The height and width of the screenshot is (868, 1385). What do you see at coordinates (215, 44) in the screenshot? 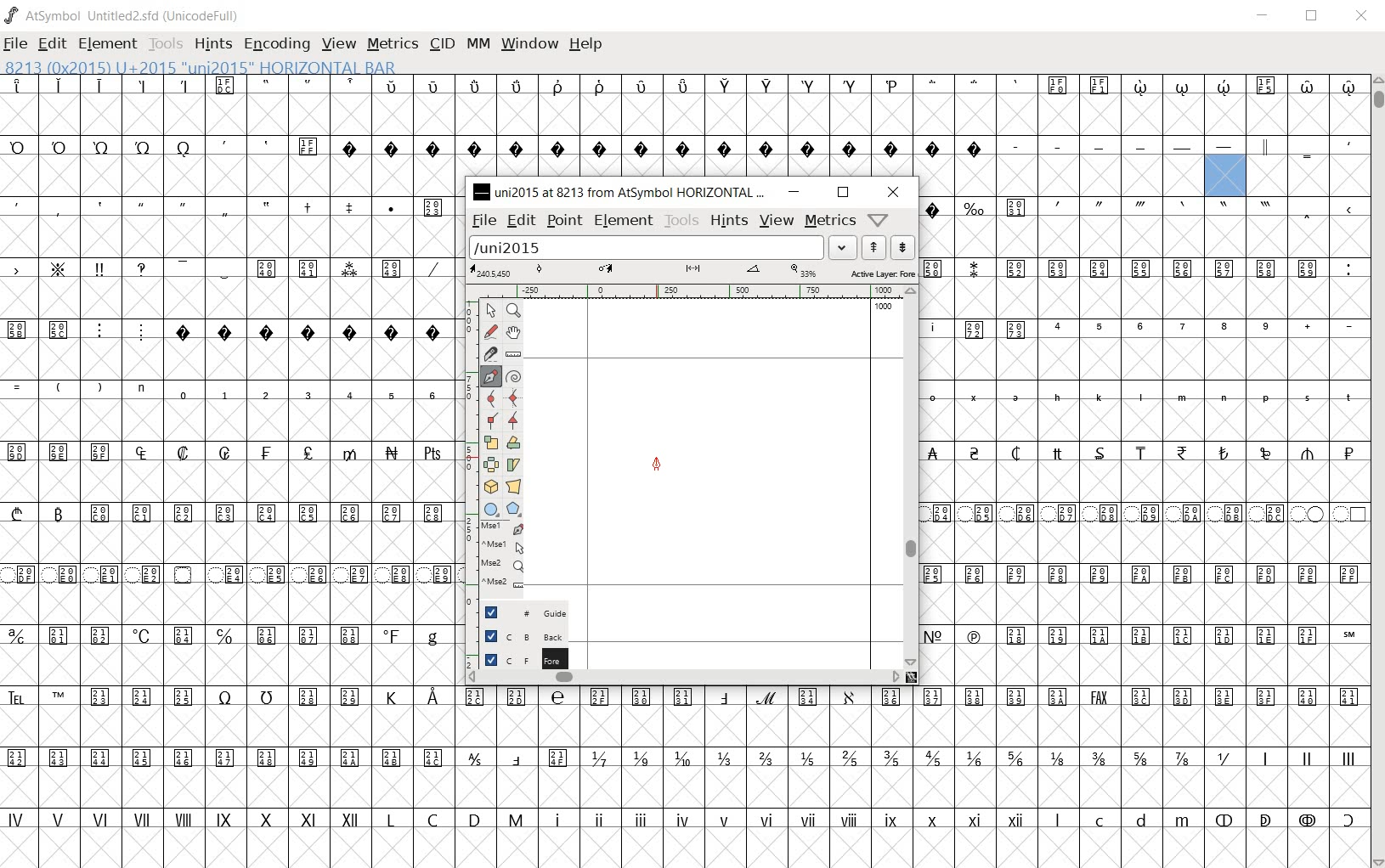
I see `HINTS` at bounding box center [215, 44].